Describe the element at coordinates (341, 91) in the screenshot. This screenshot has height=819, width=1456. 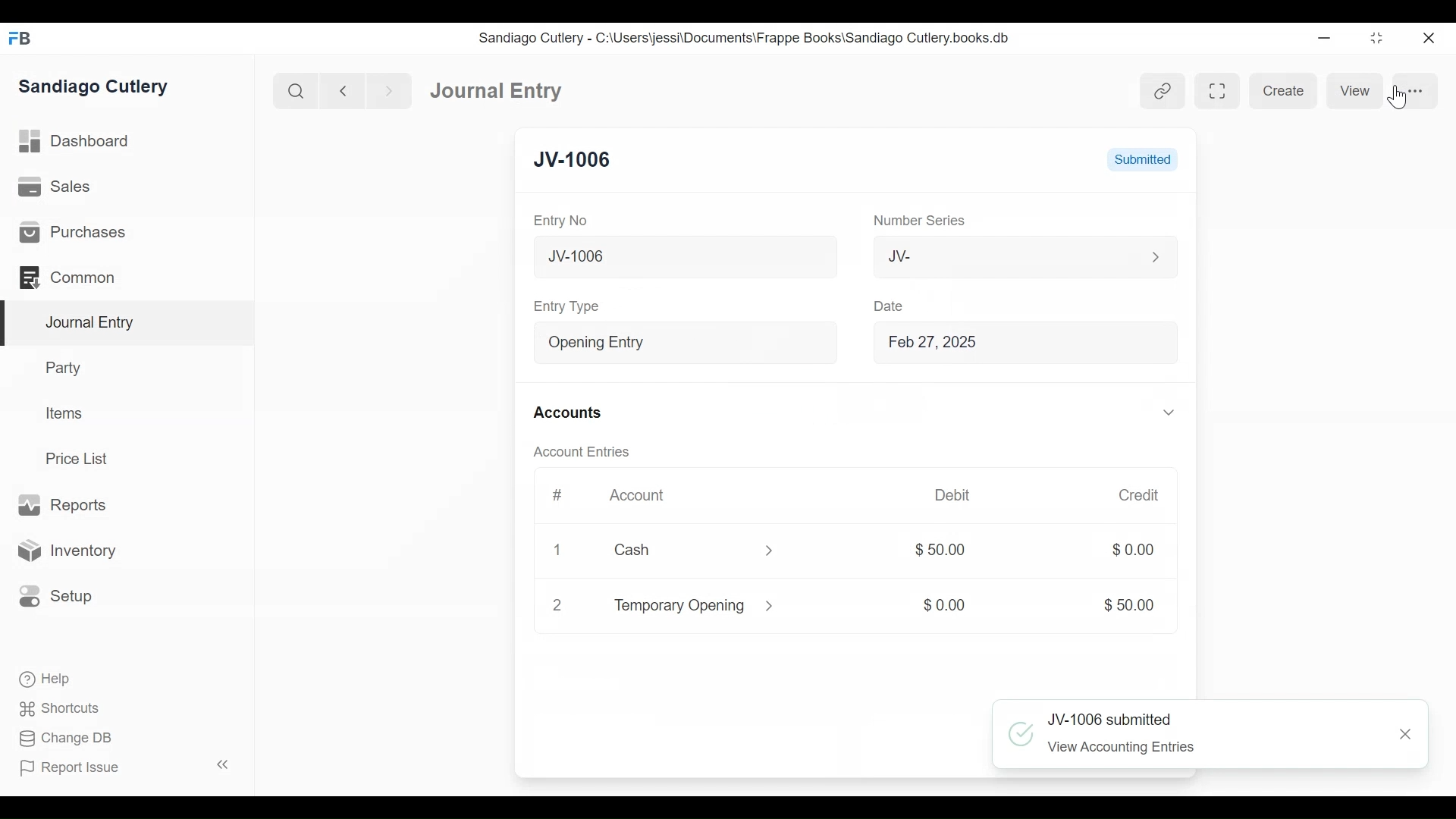
I see `Navigate back` at that location.